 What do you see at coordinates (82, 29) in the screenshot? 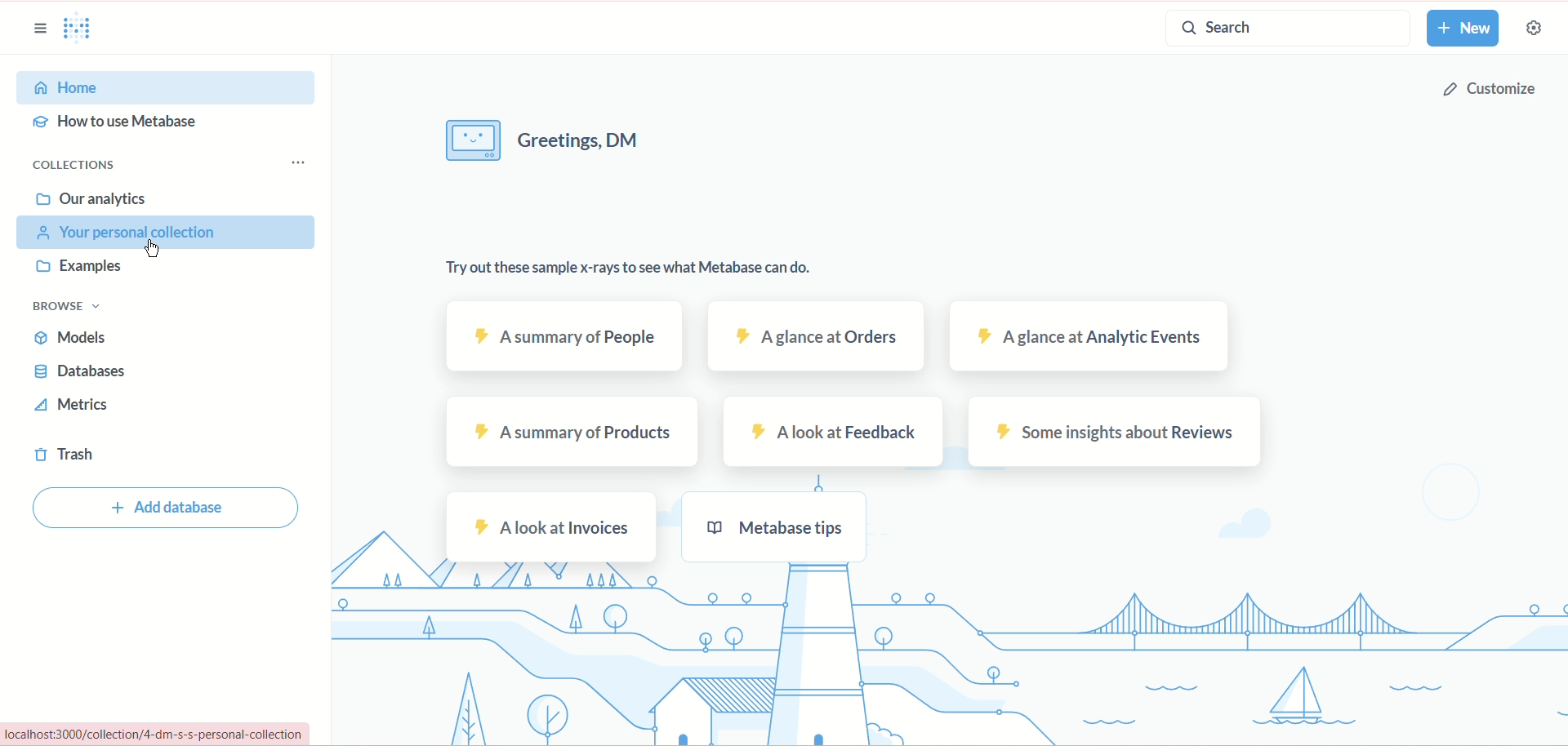
I see `logo` at bounding box center [82, 29].